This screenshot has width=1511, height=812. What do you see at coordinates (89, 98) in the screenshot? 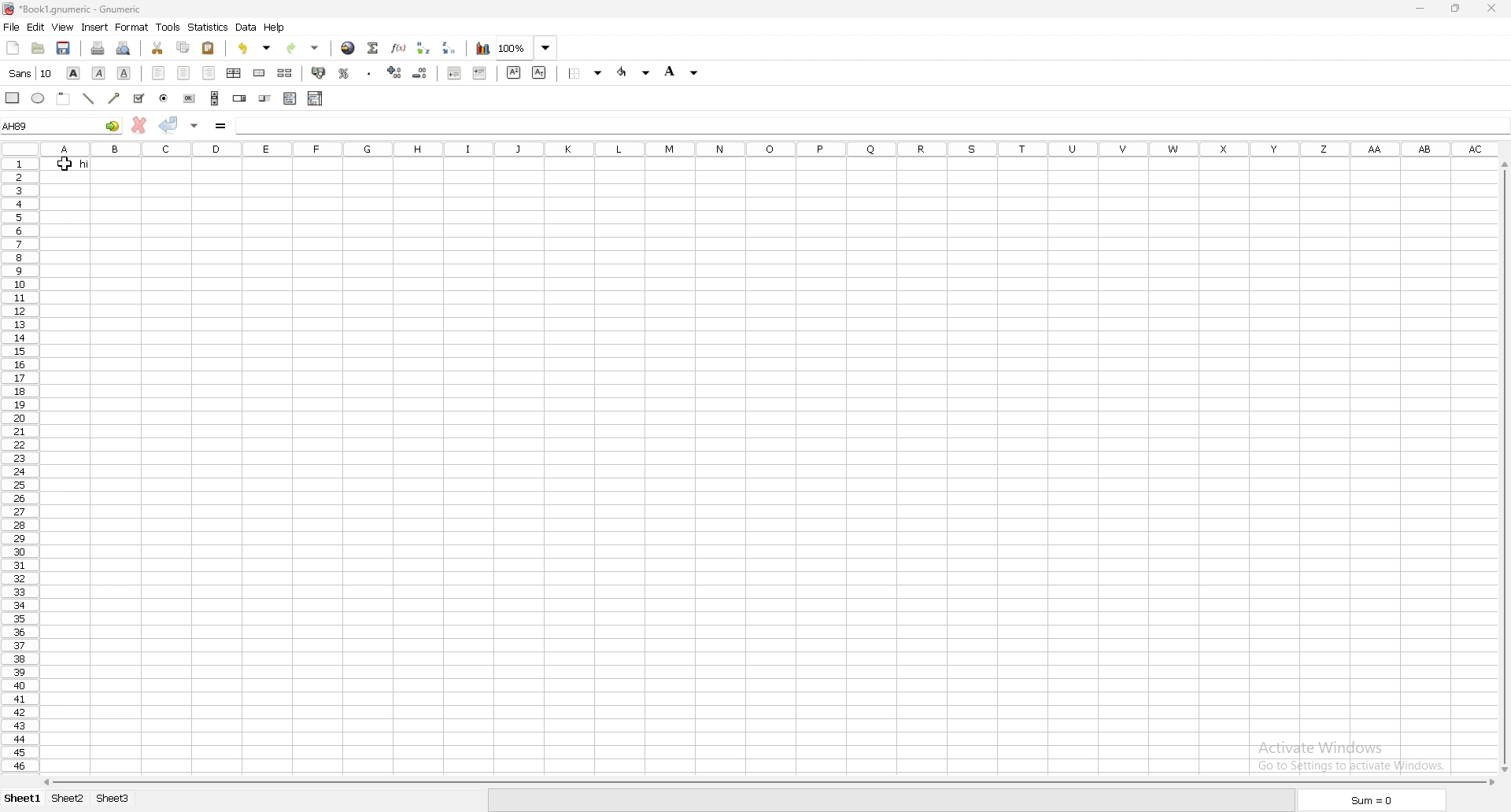
I see `line` at bounding box center [89, 98].